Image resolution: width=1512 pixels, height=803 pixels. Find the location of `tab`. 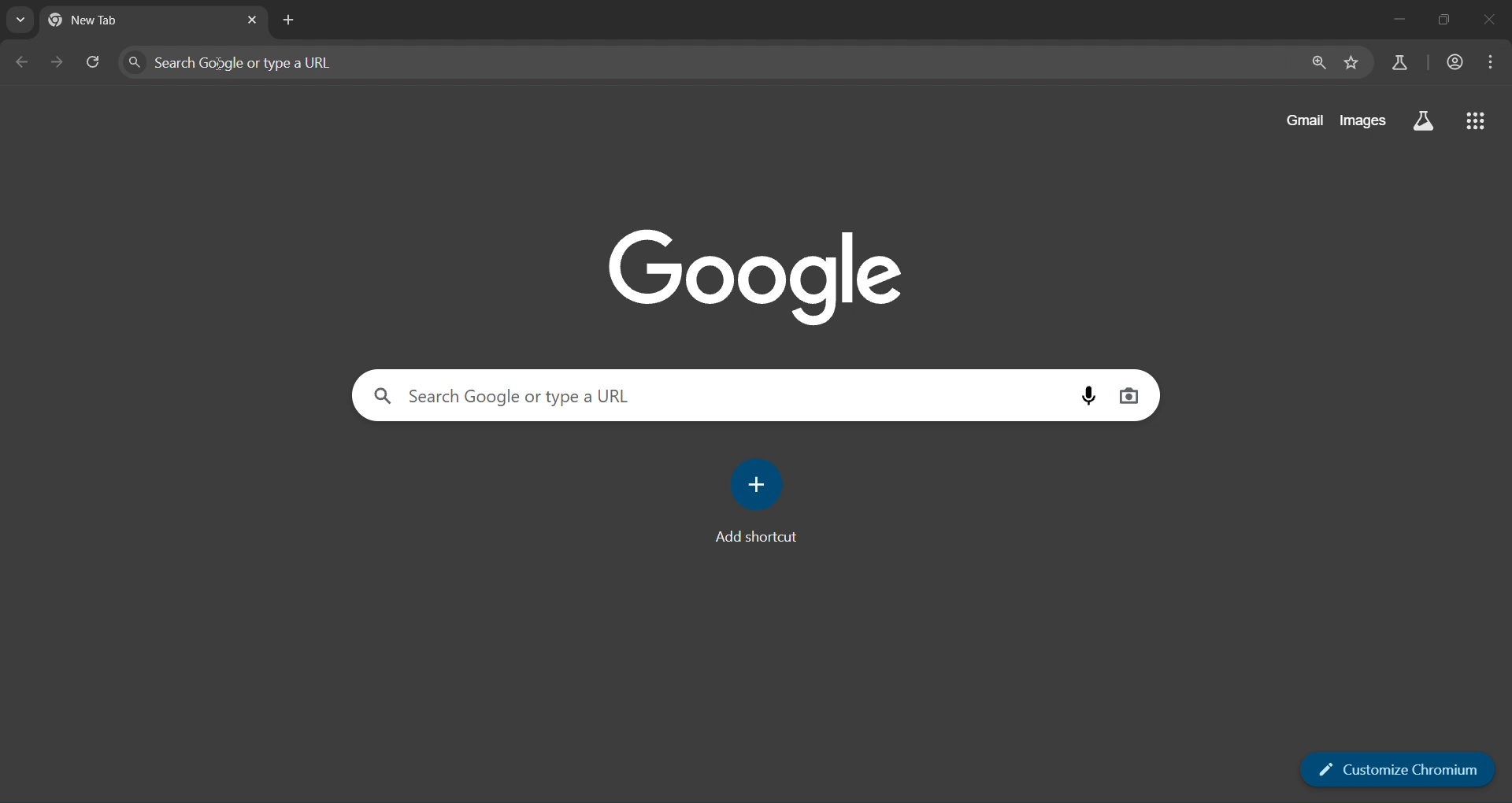

tab is located at coordinates (115, 20).